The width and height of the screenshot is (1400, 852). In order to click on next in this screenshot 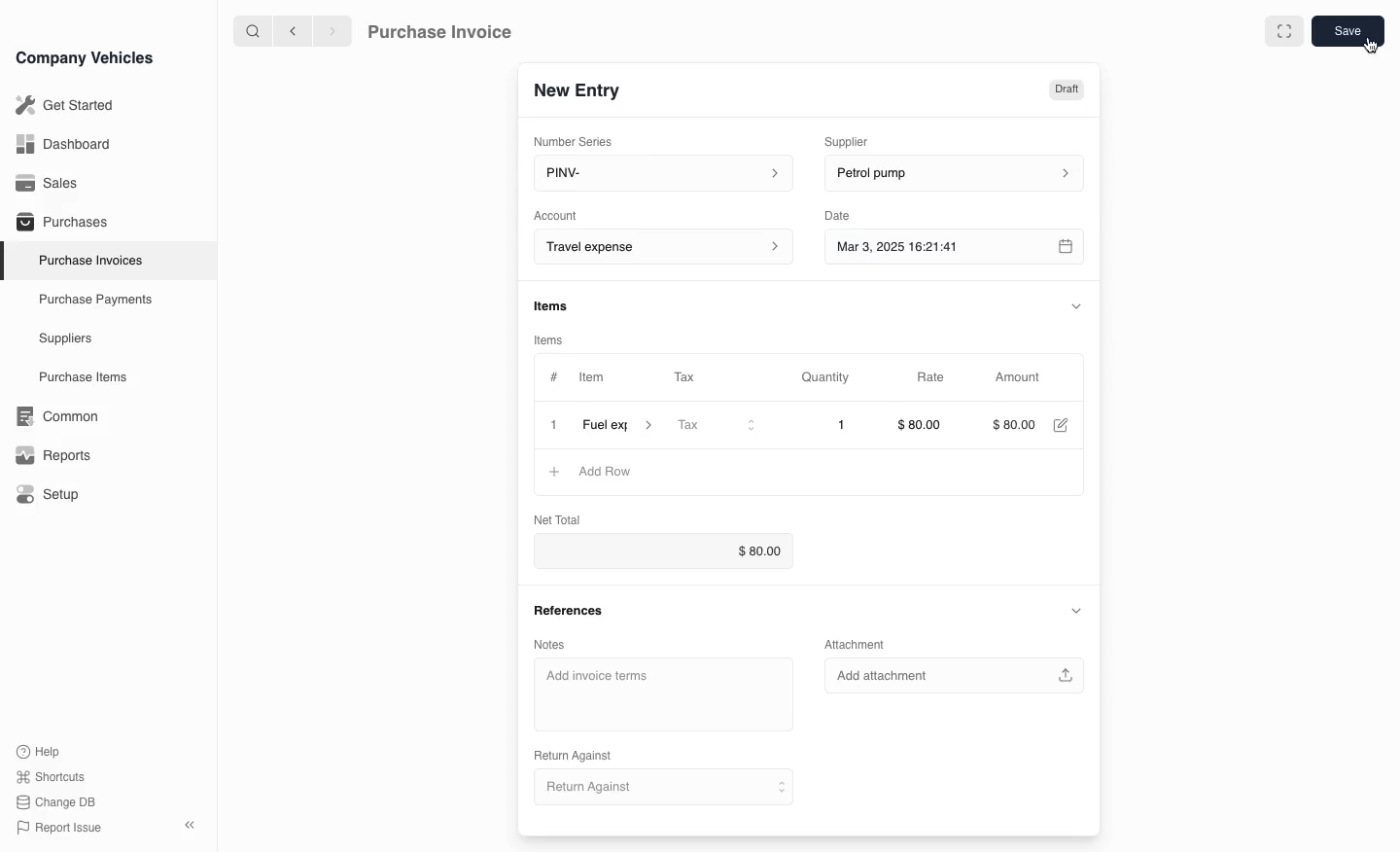, I will do `click(332, 30)`.